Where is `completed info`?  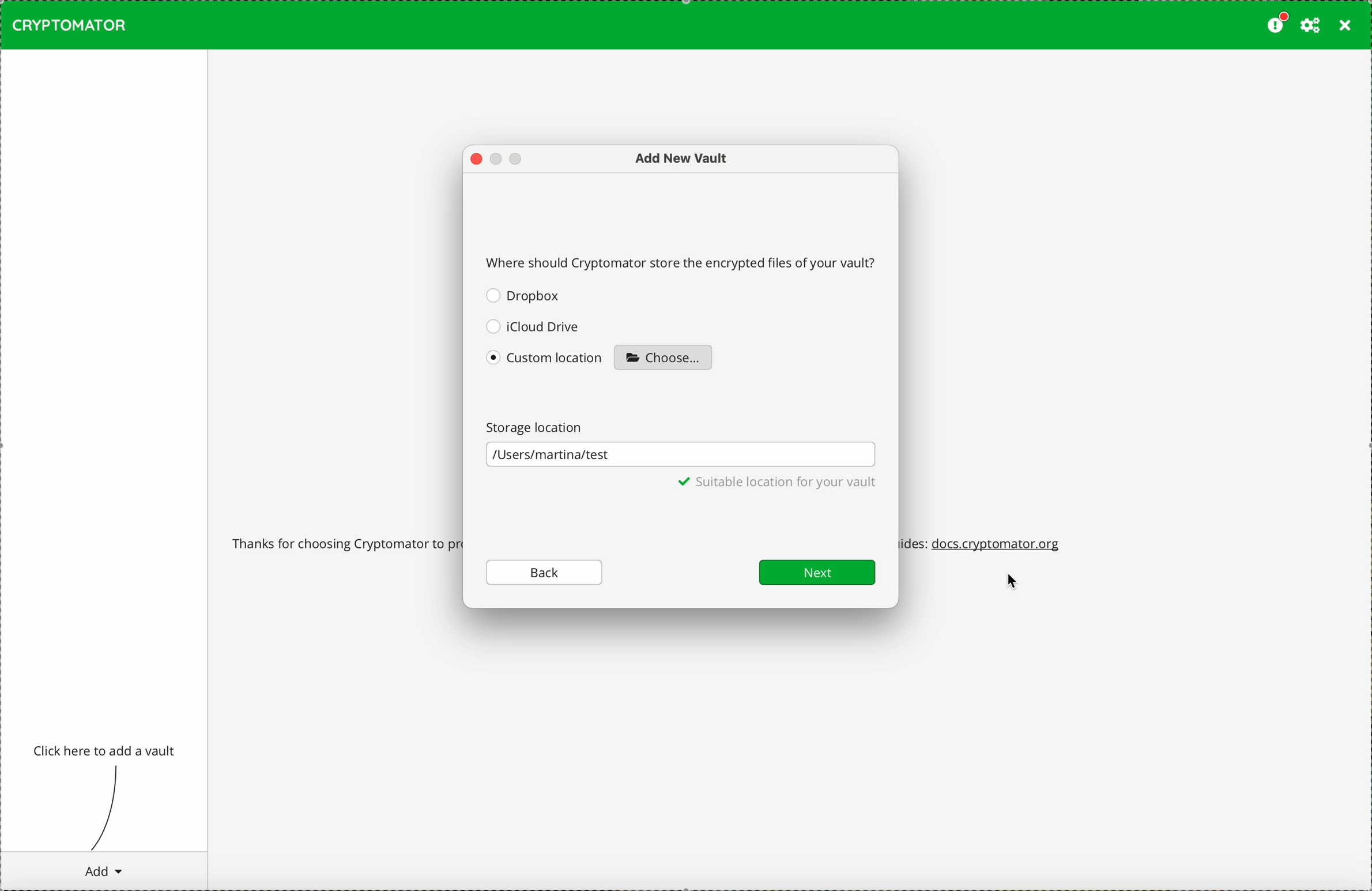 completed info is located at coordinates (780, 485).